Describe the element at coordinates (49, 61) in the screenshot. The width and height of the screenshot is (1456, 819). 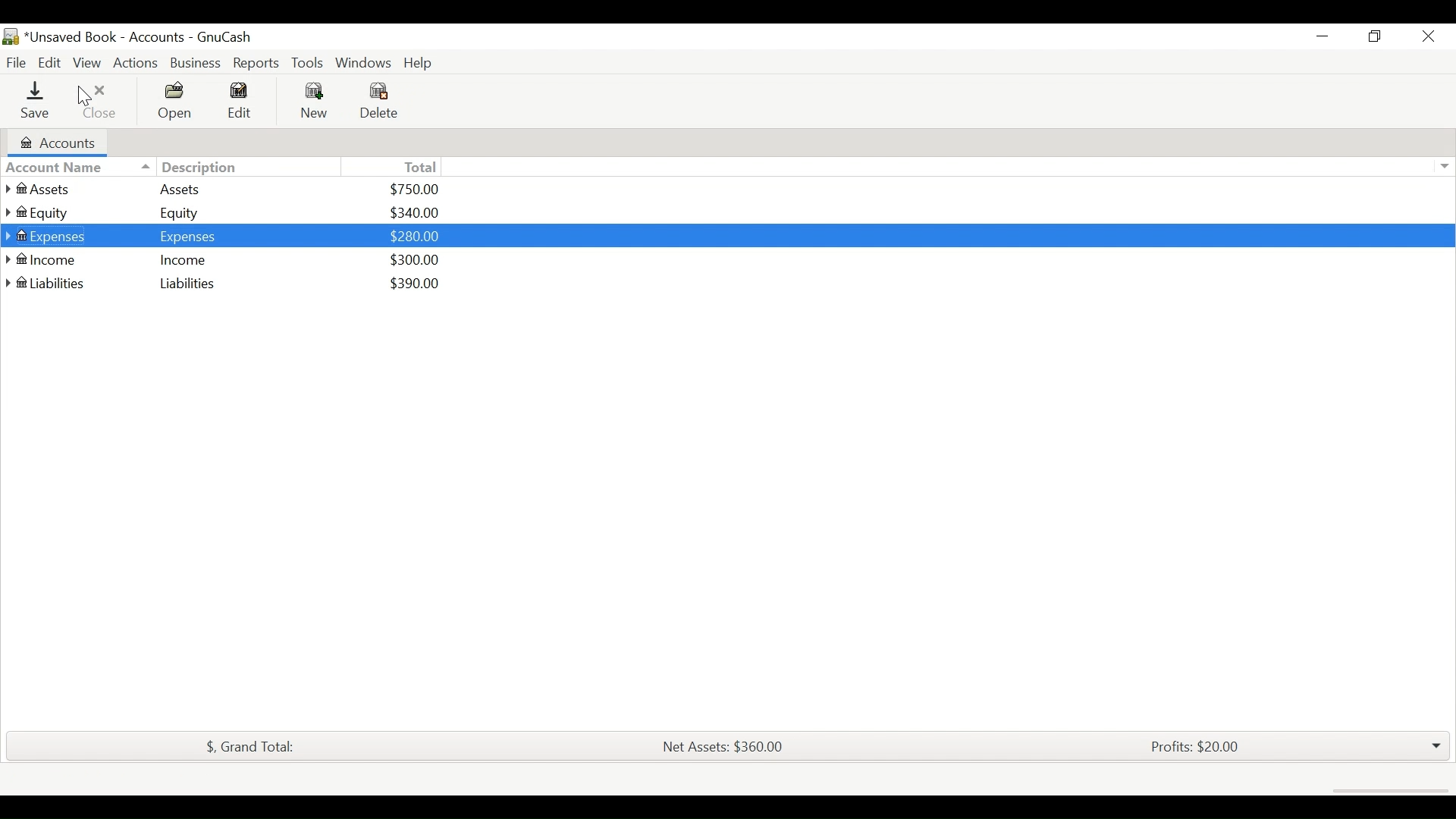
I see `Edit` at that location.